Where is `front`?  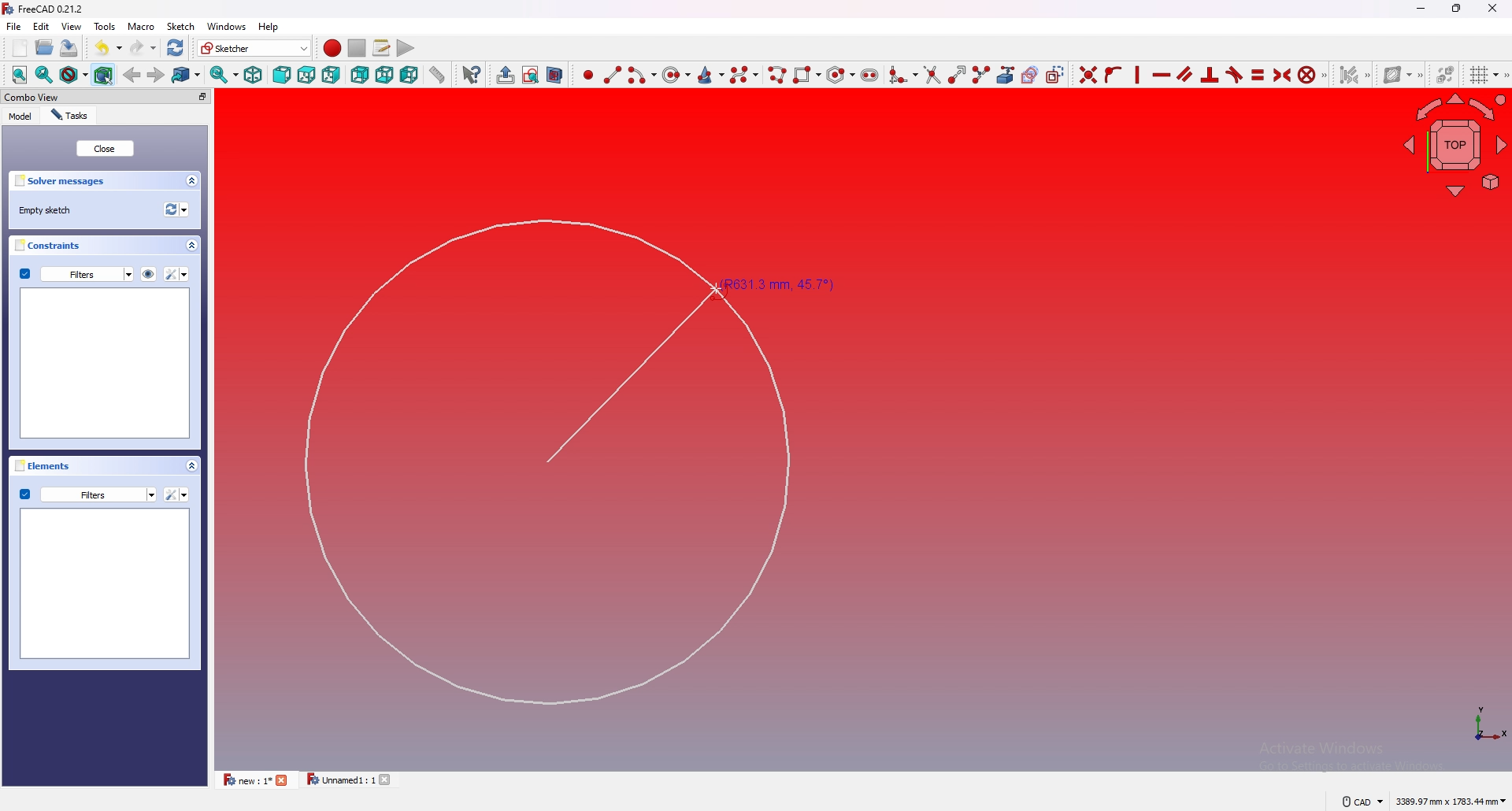 front is located at coordinates (280, 75).